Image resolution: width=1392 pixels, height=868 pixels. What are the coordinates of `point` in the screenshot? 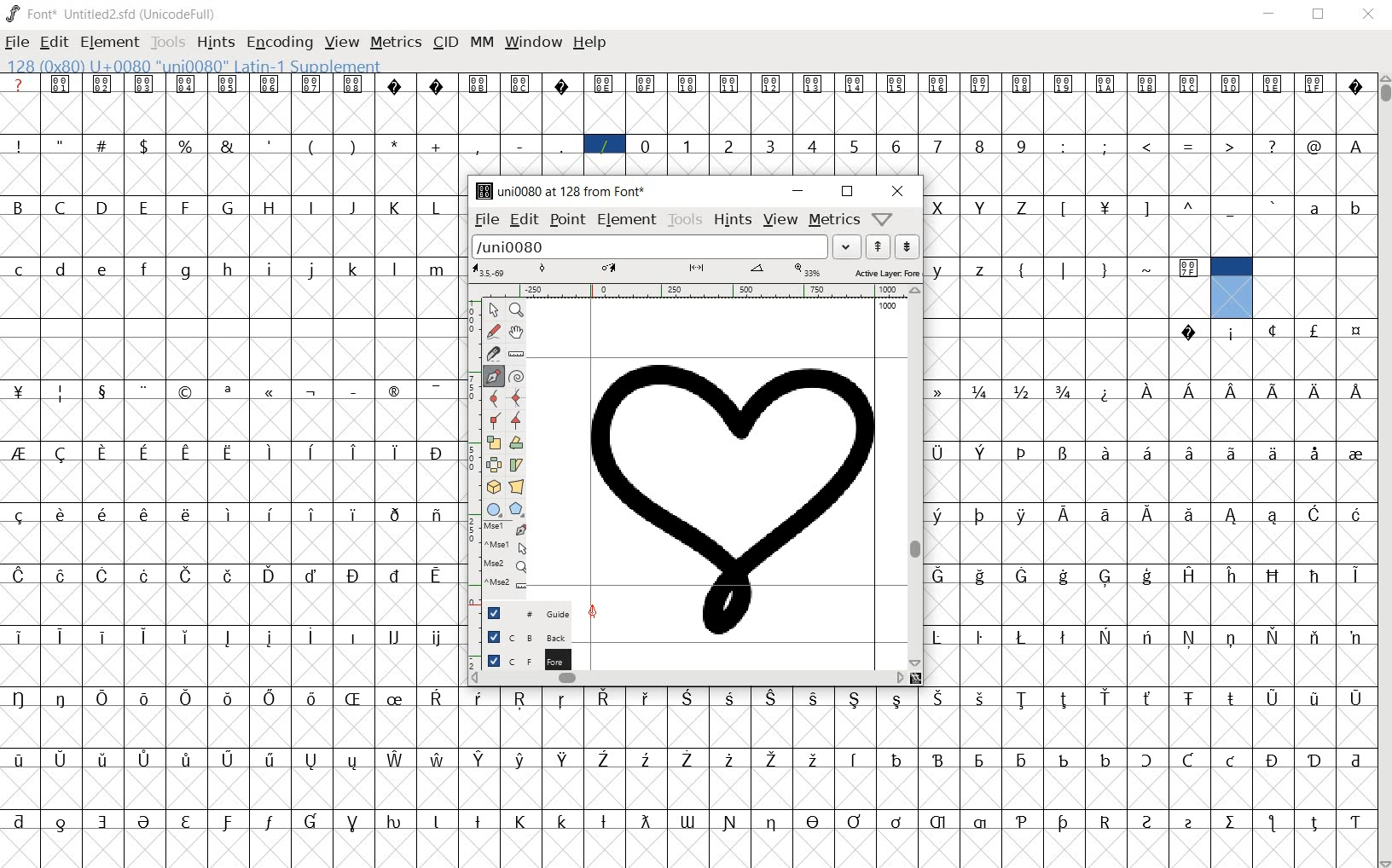 It's located at (567, 219).